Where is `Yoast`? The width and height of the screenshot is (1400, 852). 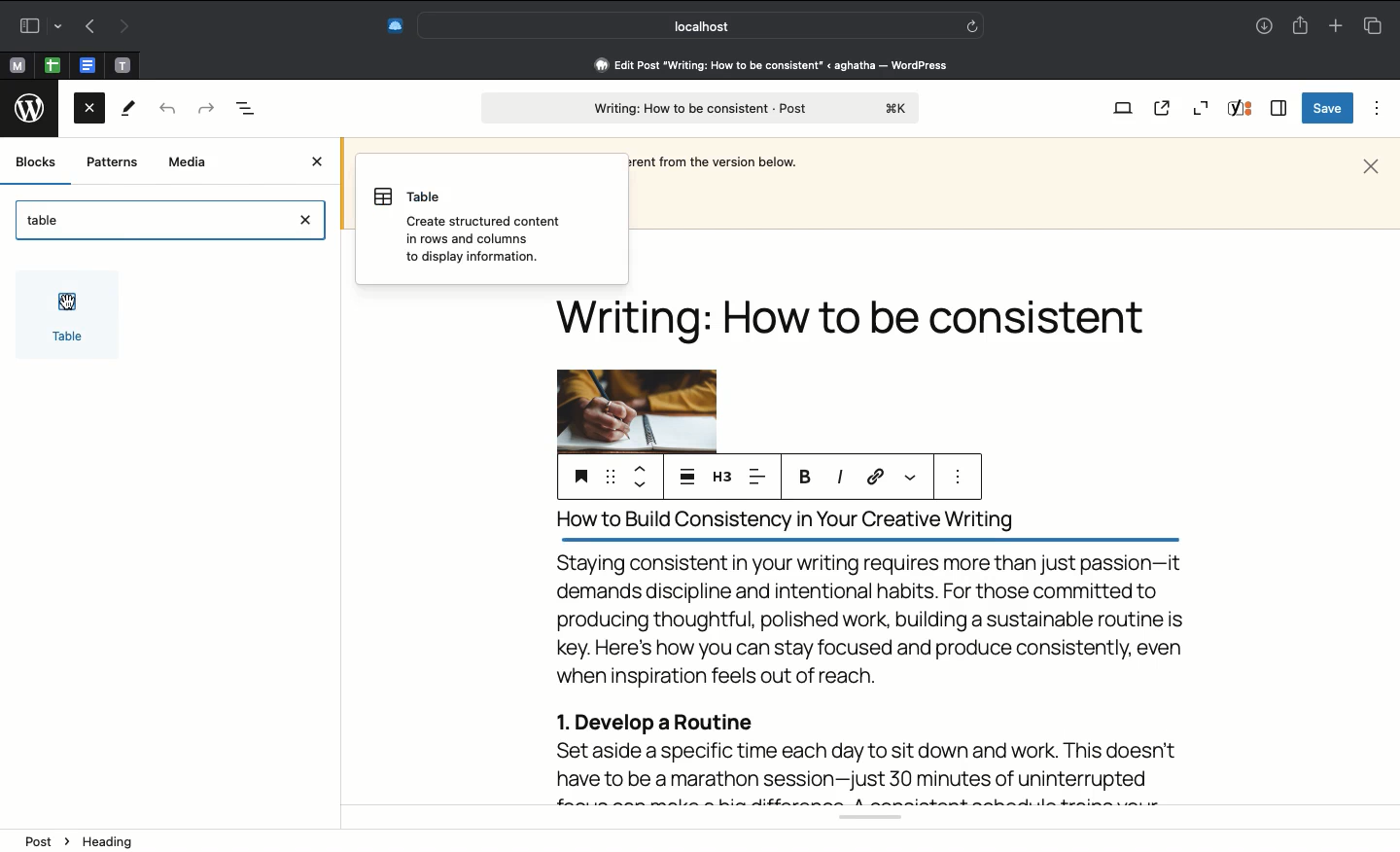
Yoast is located at coordinates (1242, 109).